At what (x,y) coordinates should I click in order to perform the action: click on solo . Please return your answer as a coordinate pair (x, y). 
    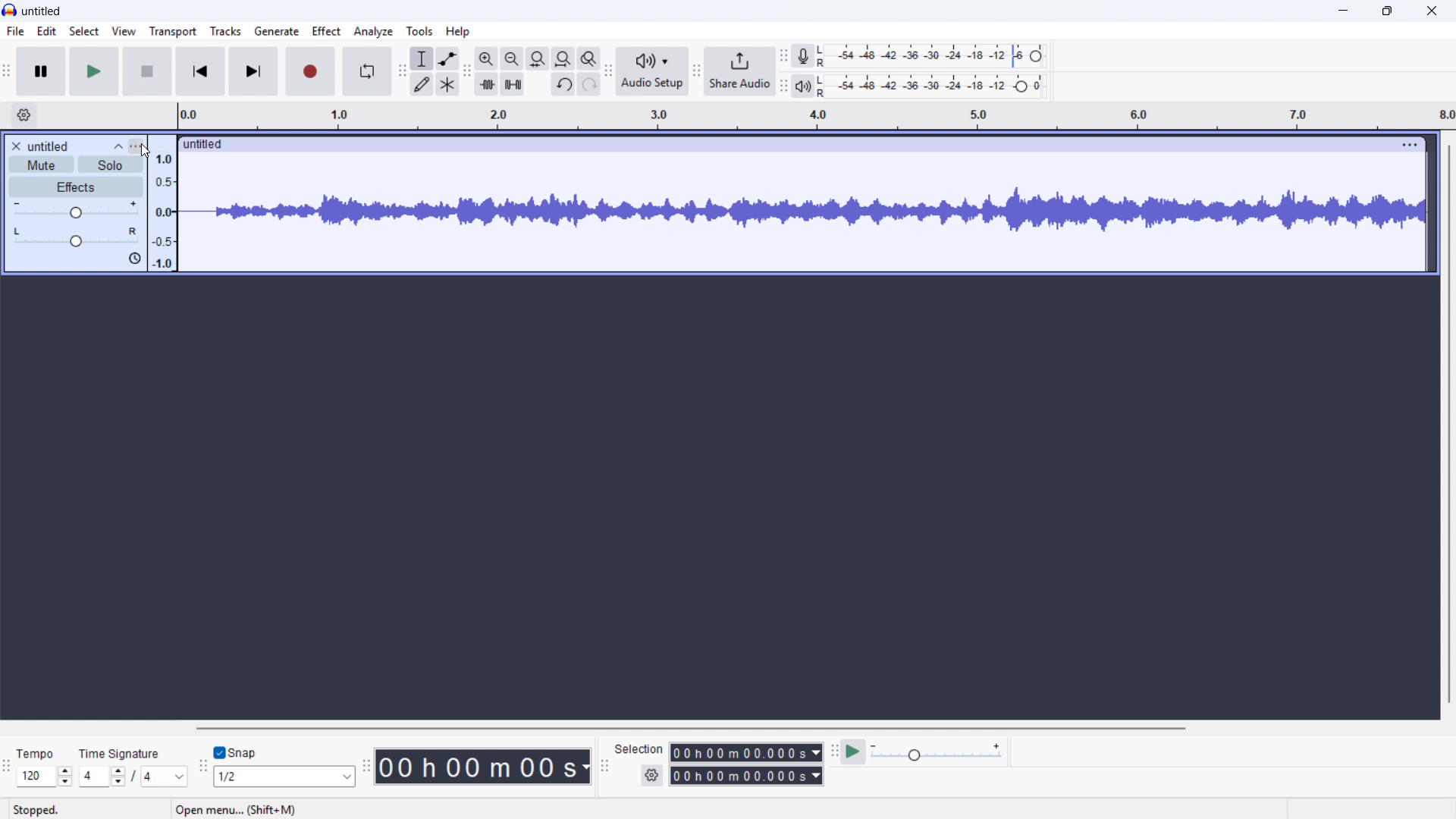
    Looking at the image, I should click on (111, 165).